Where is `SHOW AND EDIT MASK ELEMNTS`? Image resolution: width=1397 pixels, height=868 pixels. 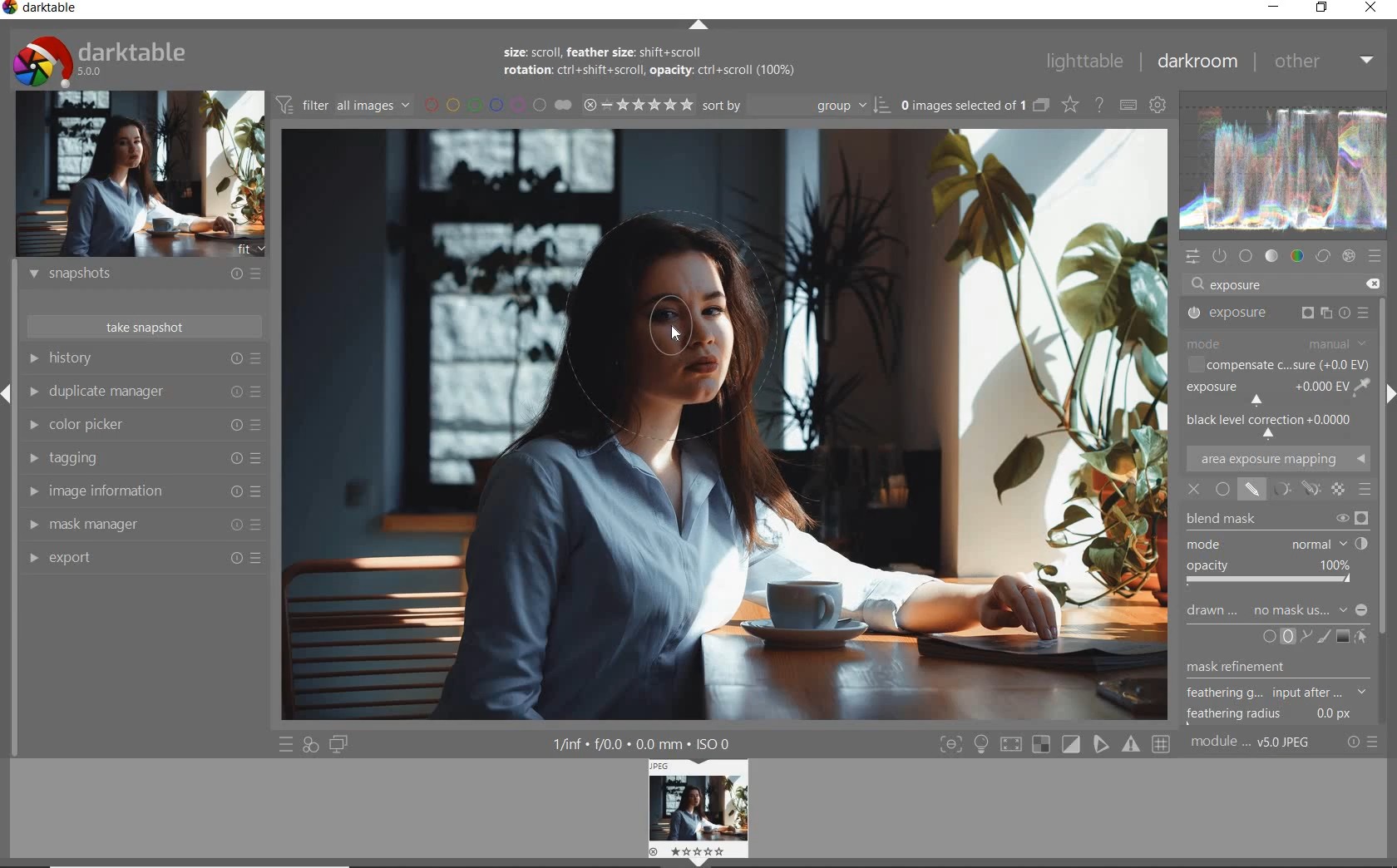
SHOW AND EDIT MASK ELEMNTS is located at coordinates (1360, 637).